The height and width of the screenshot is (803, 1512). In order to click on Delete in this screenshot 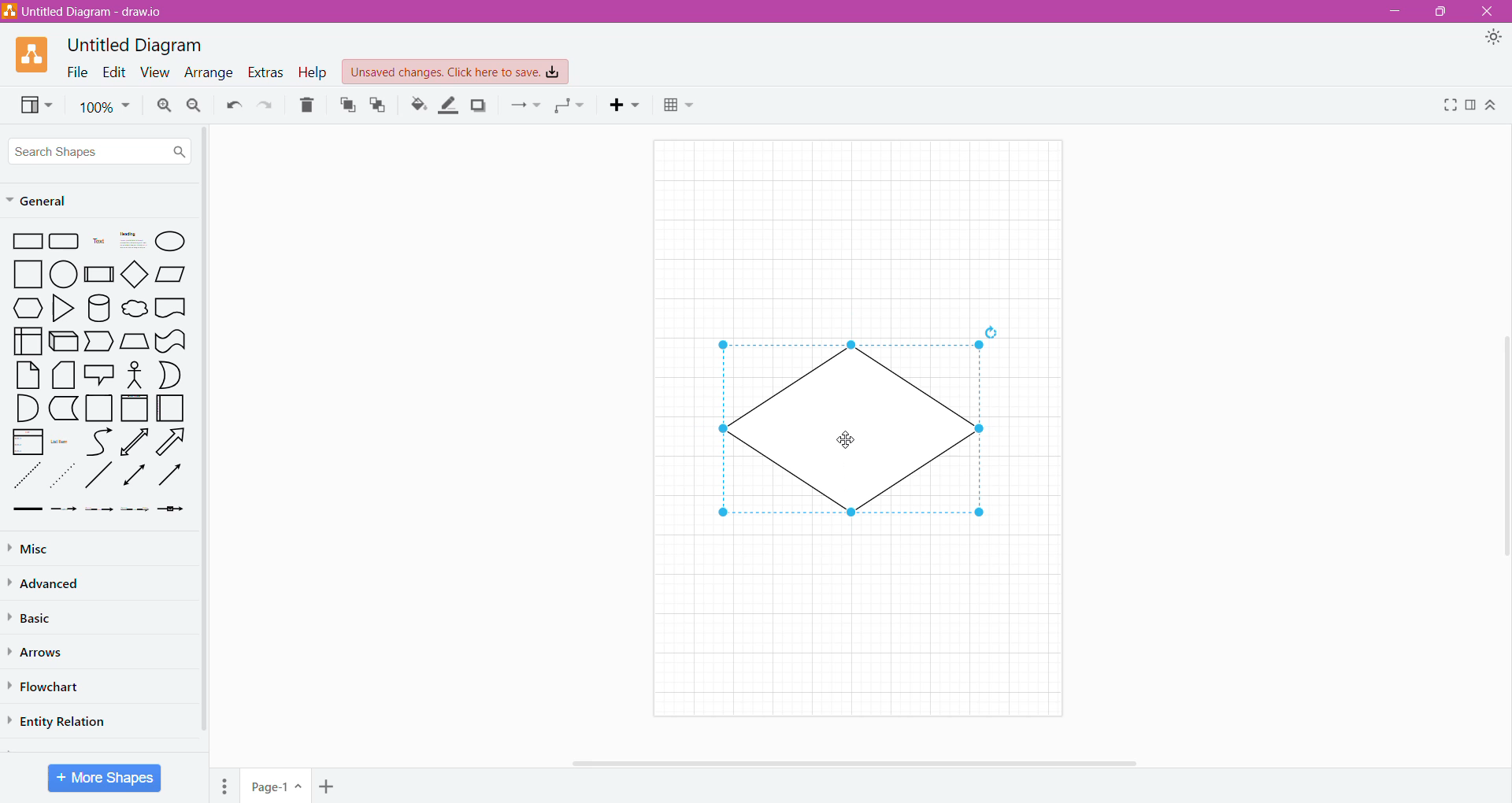, I will do `click(308, 105)`.